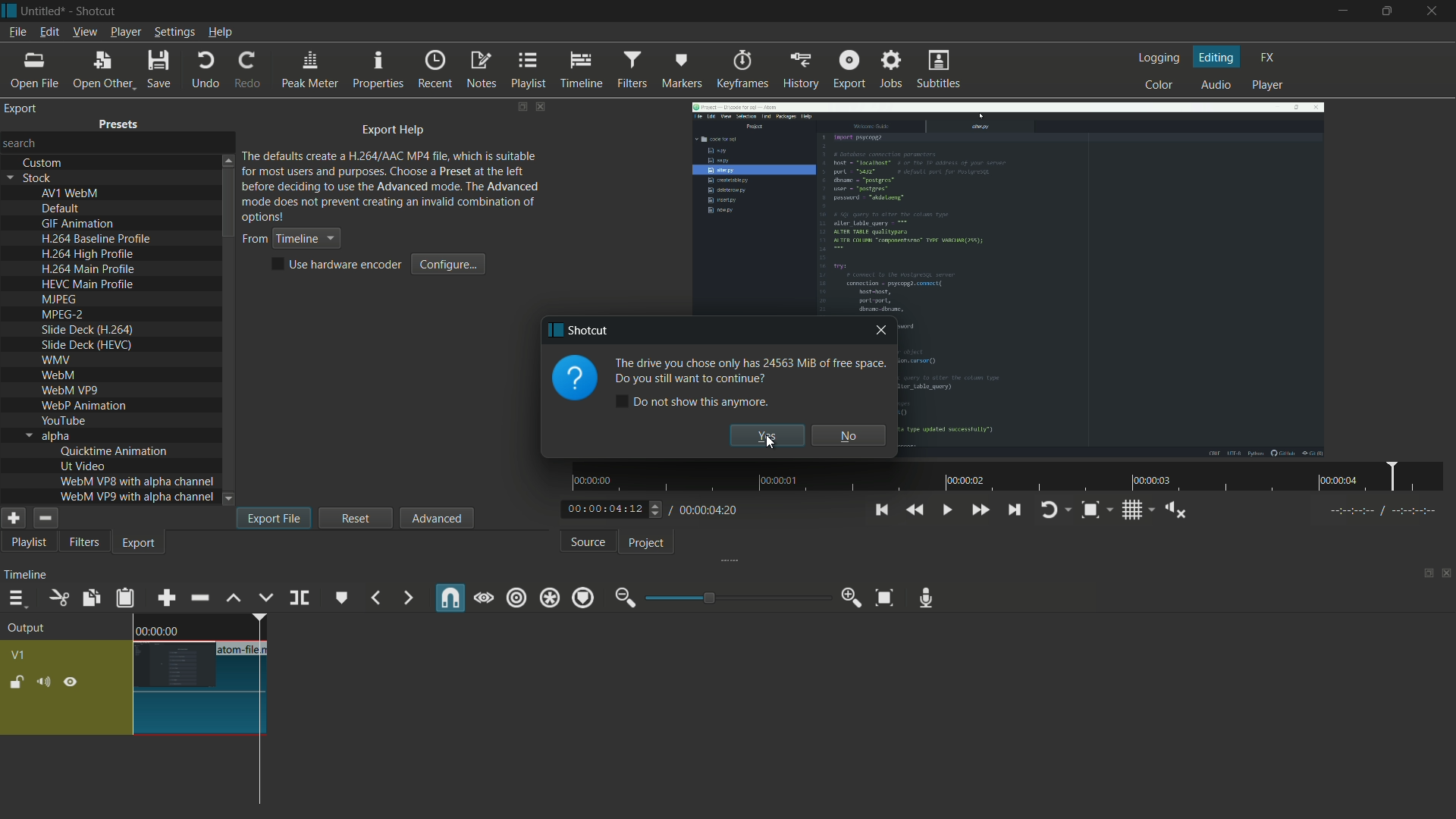 The image size is (1456, 819). I want to click on player, so click(1268, 85).